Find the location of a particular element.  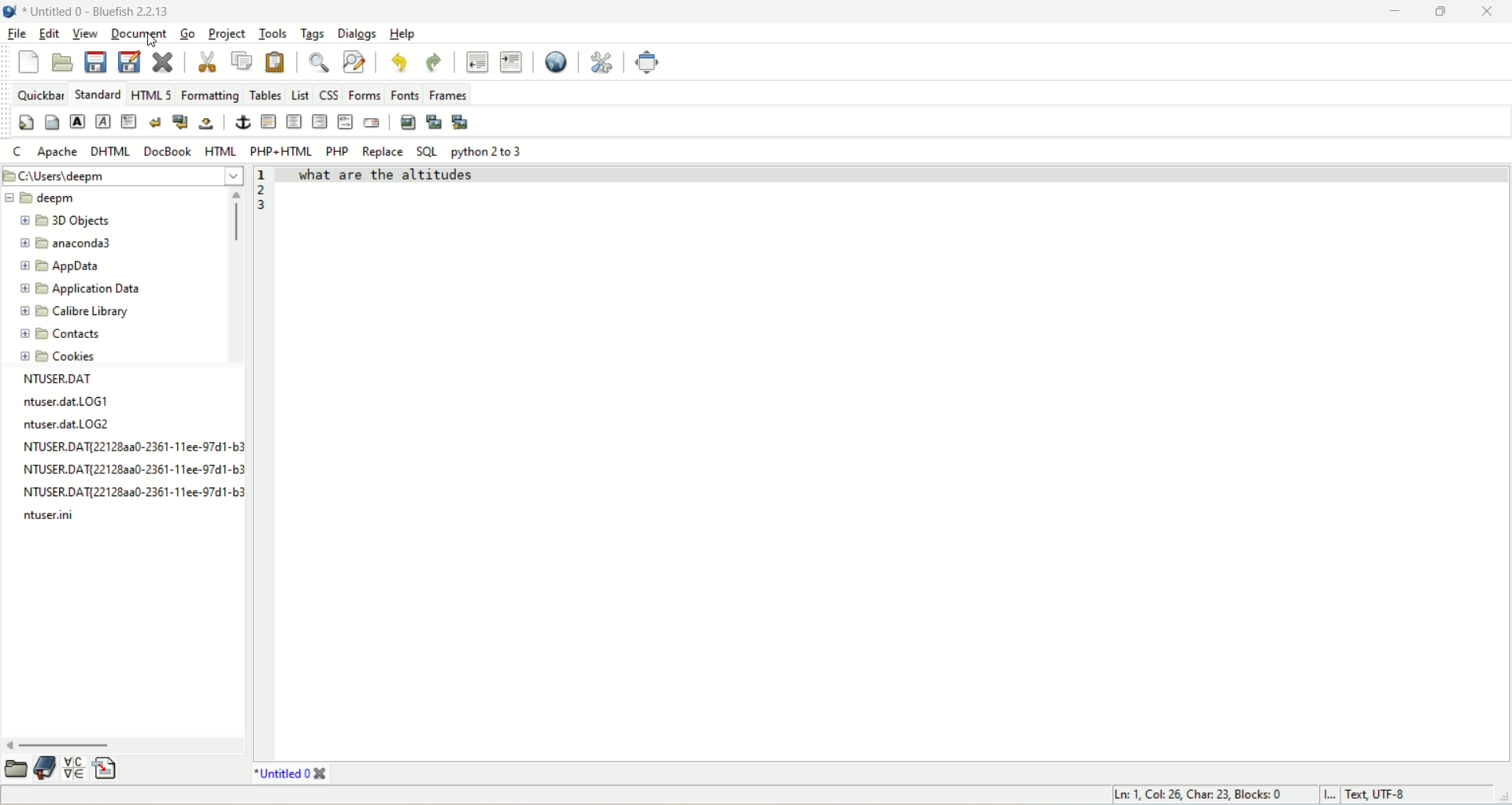

non-breaking space is located at coordinates (207, 124).